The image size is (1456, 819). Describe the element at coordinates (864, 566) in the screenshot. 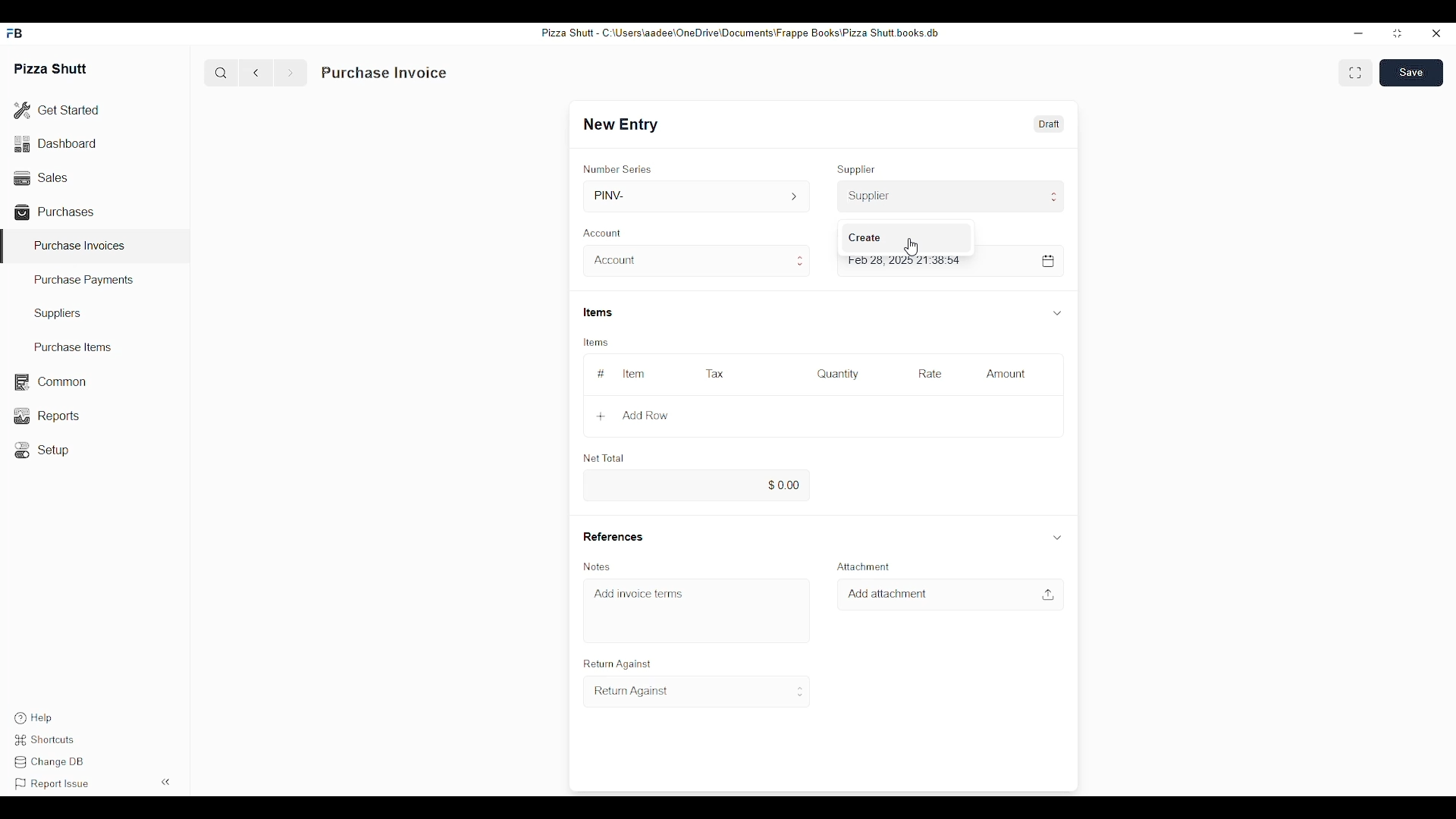

I see `Attachment` at that location.